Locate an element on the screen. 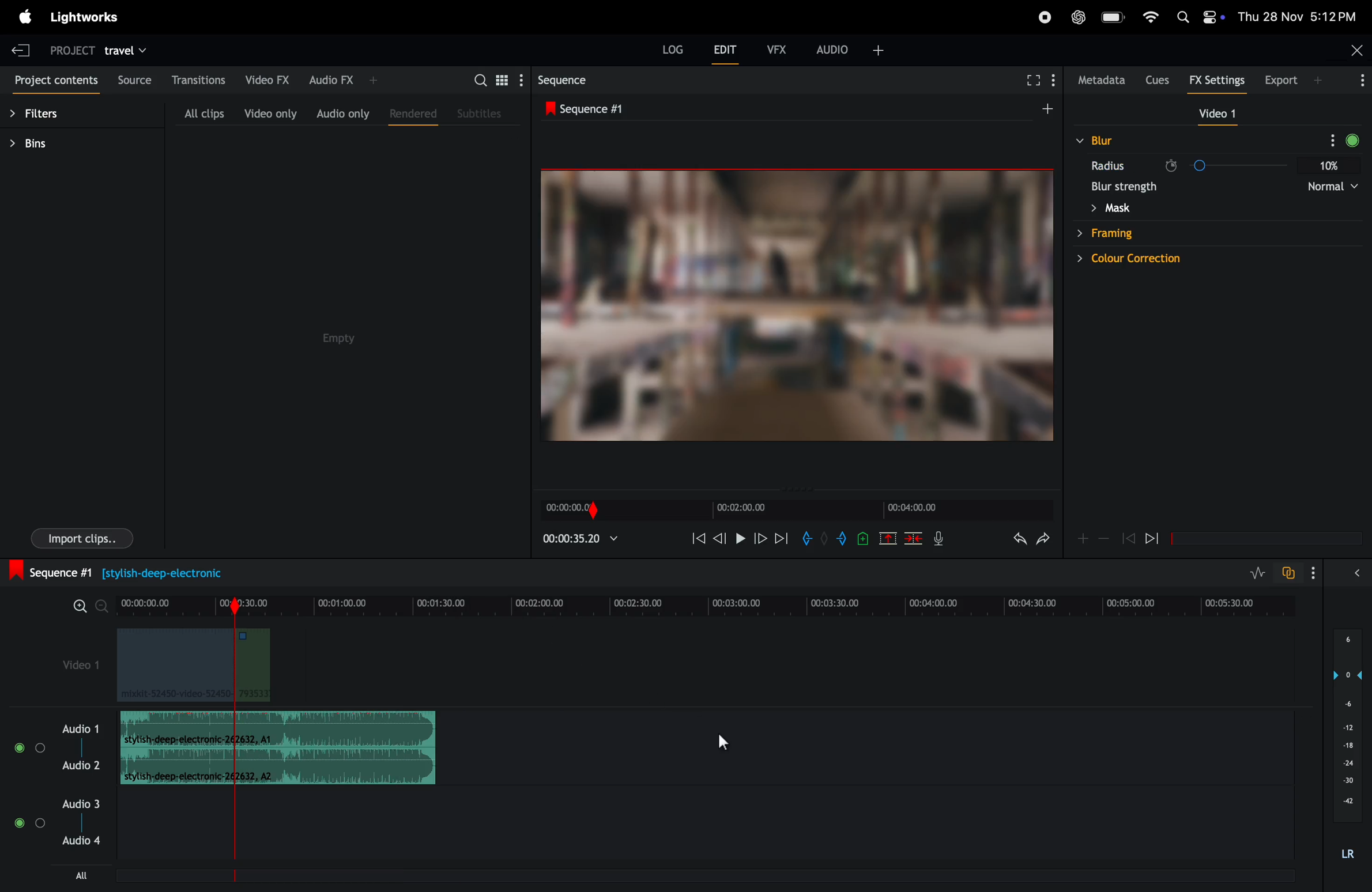 This screenshot has height=892, width=1372. meta data is located at coordinates (1099, 81).